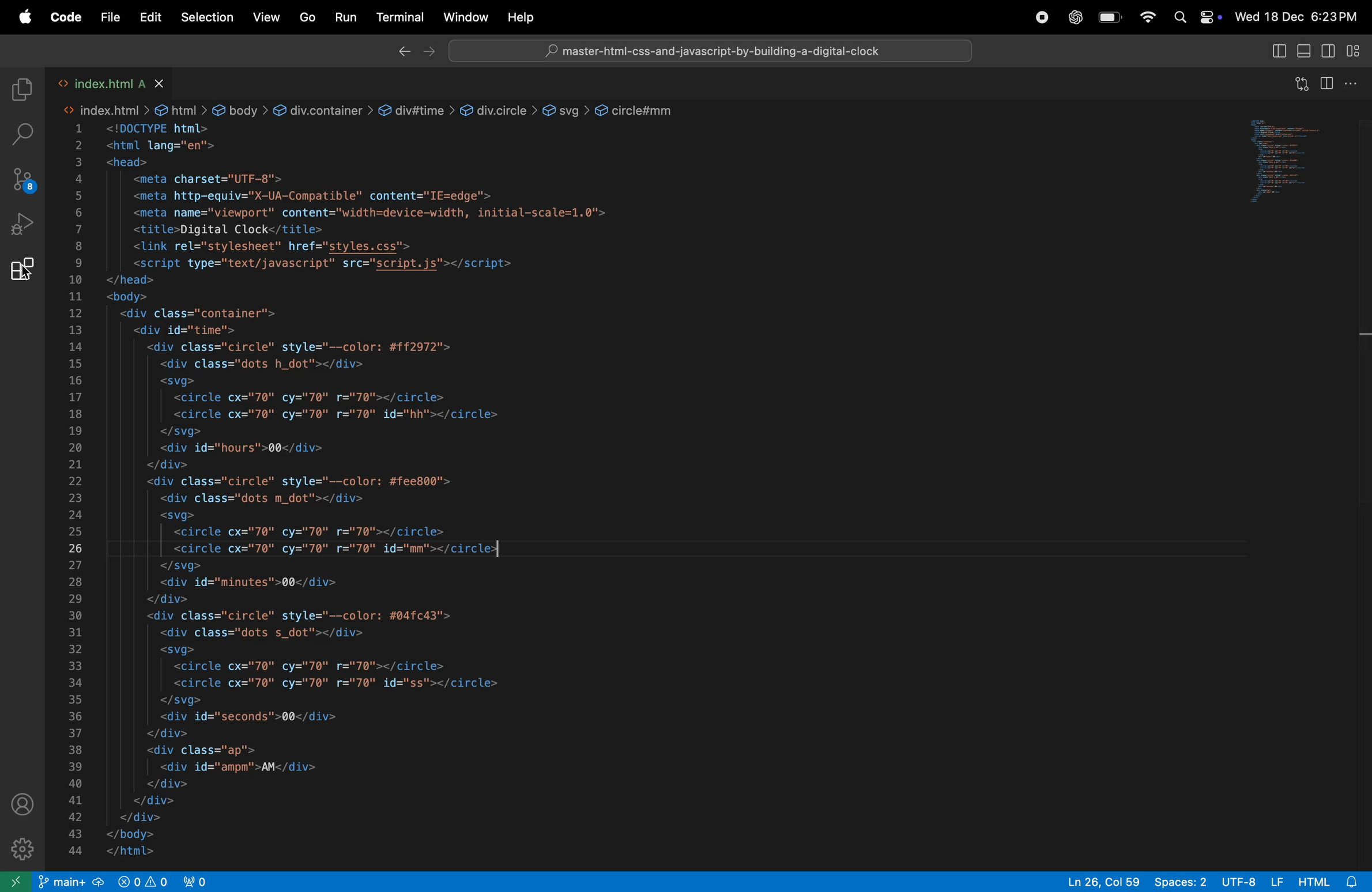  I want to click on code, so click(64, 18).